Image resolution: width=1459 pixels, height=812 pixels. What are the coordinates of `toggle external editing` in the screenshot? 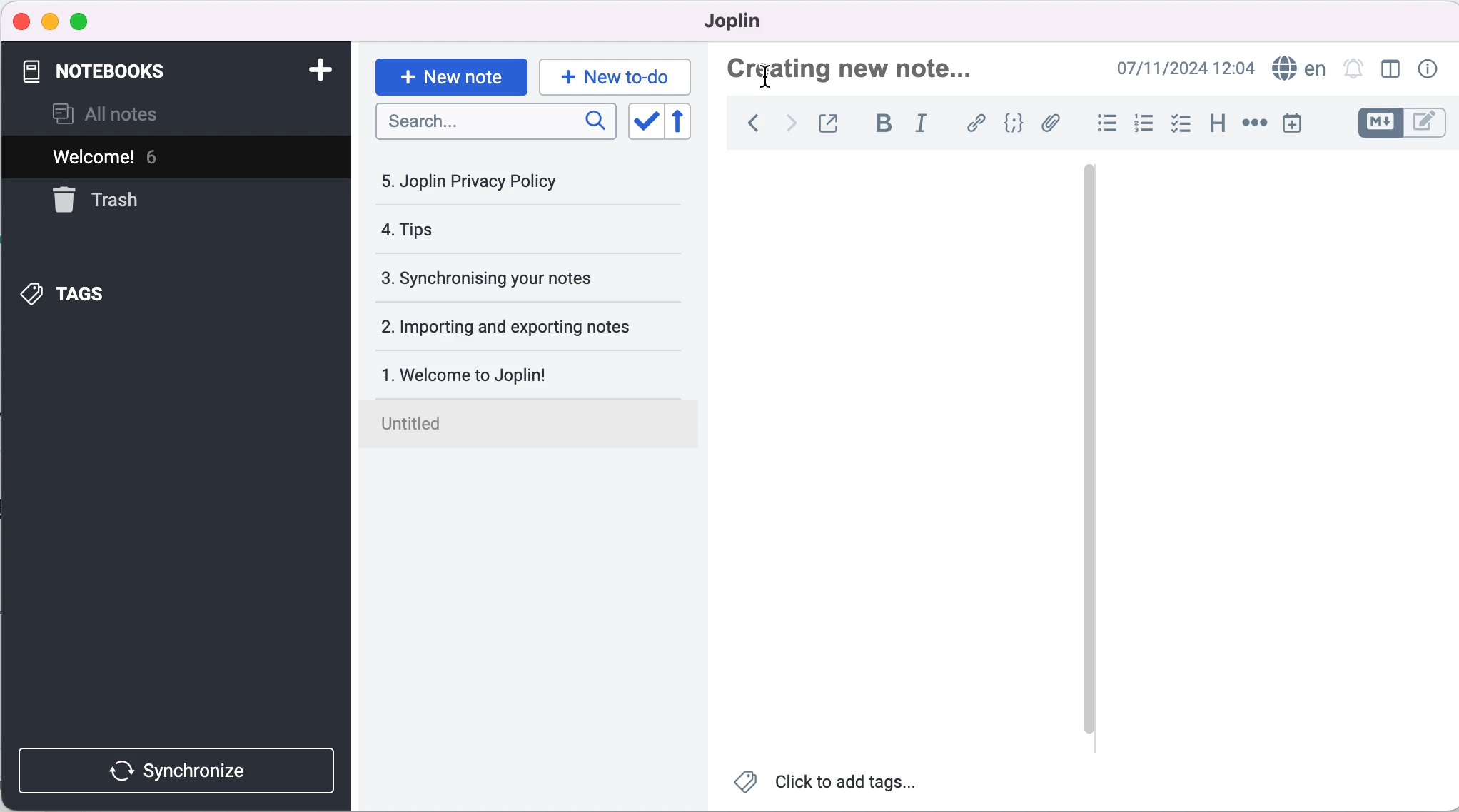 It's located at (835, 122).